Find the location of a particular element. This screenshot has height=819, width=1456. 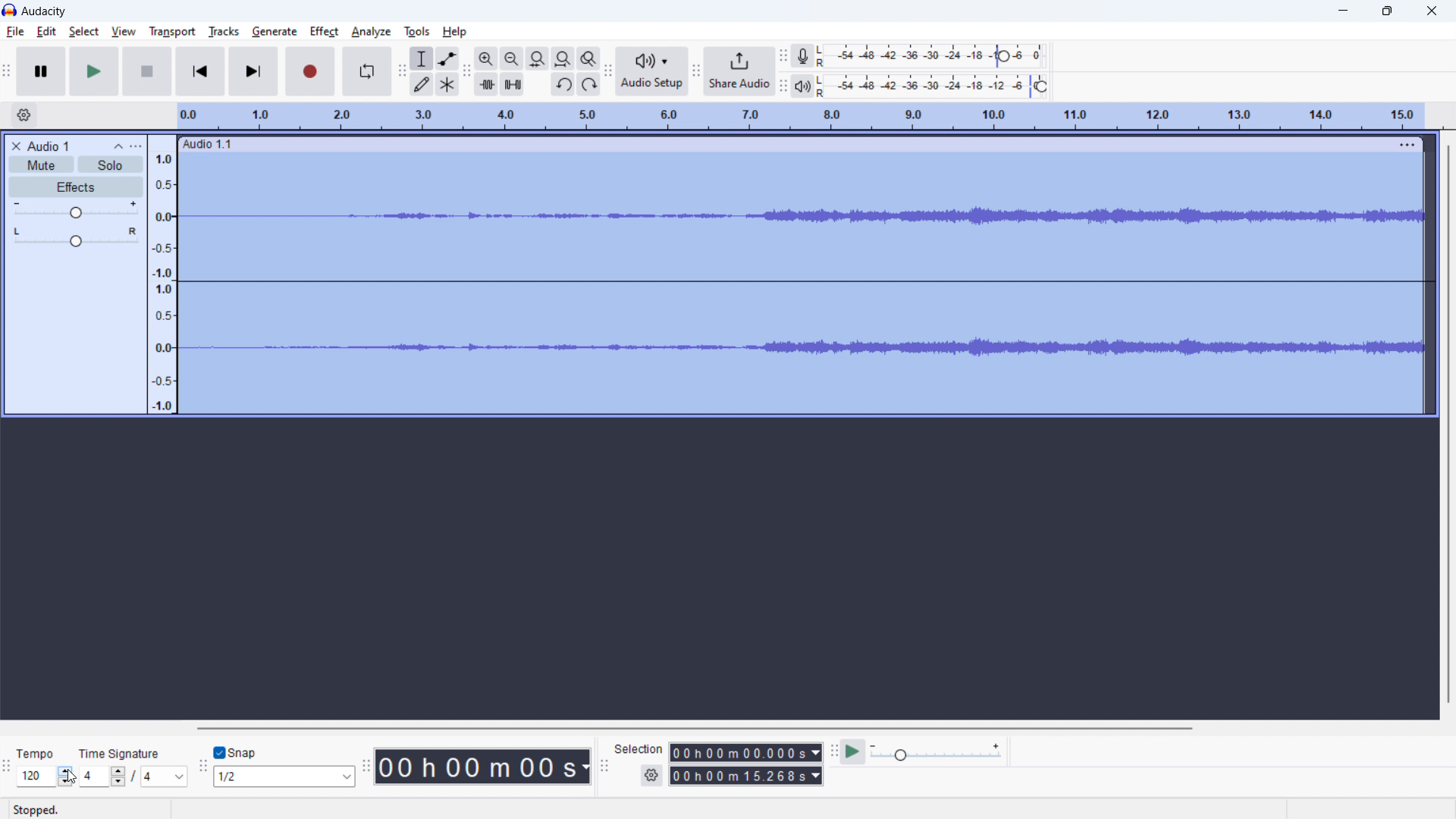

edit is located at coordinates (47, 32).